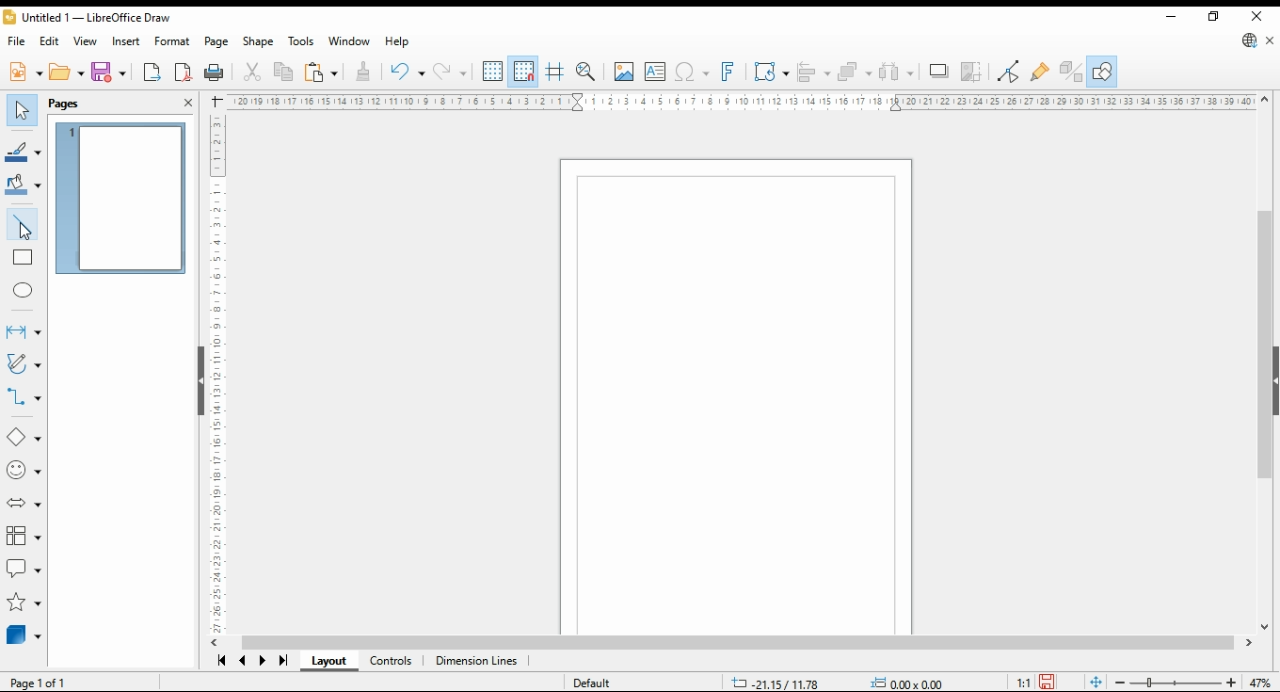 The height and width of the screenshot is (692, 1280). I want to click on toggle point edit mode, so click(1010, 69).